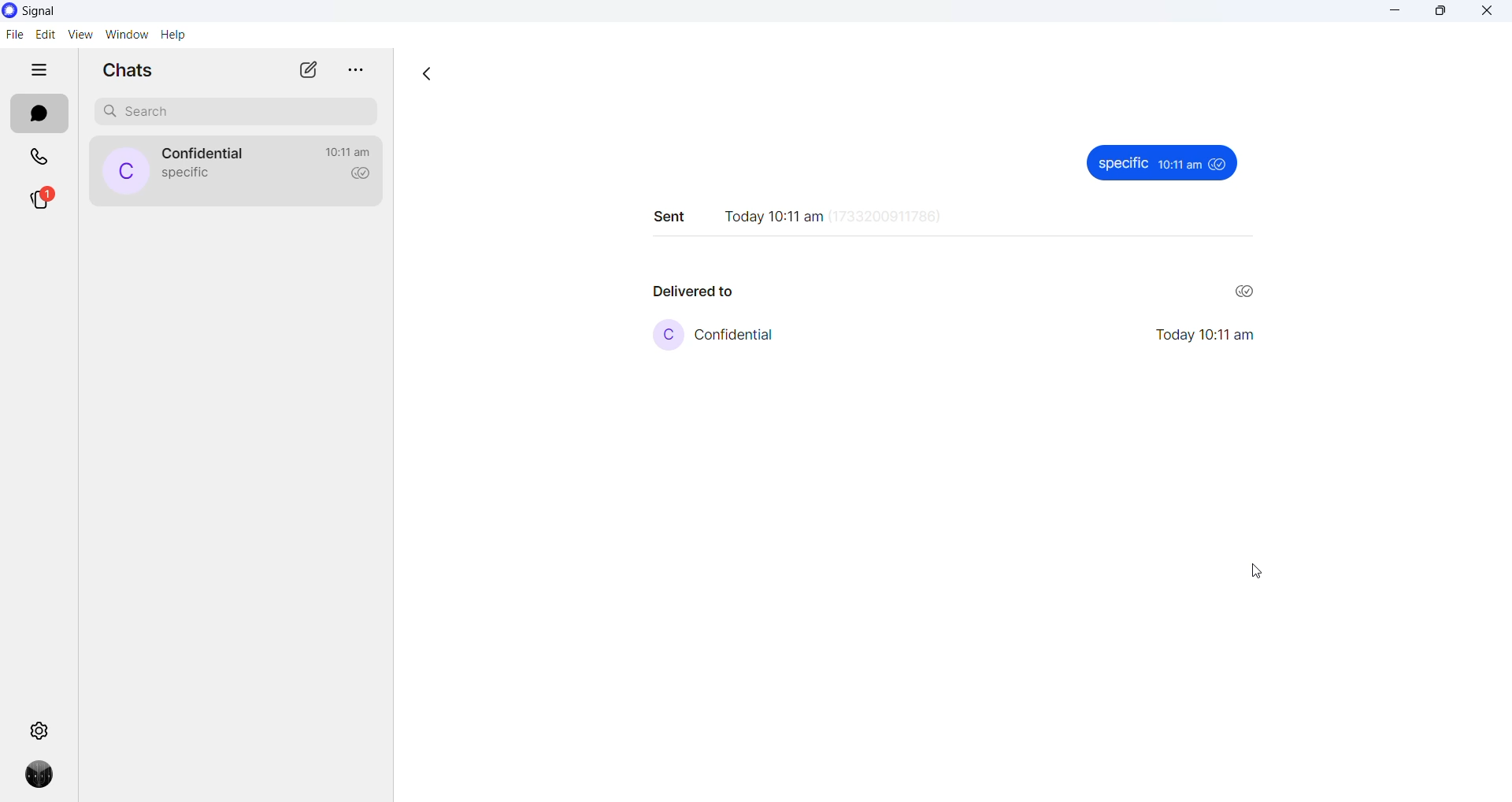  What do you see at coordinates (1122, 165) in the screenshot?
I see `specific` at bounding box center [1122, 165].